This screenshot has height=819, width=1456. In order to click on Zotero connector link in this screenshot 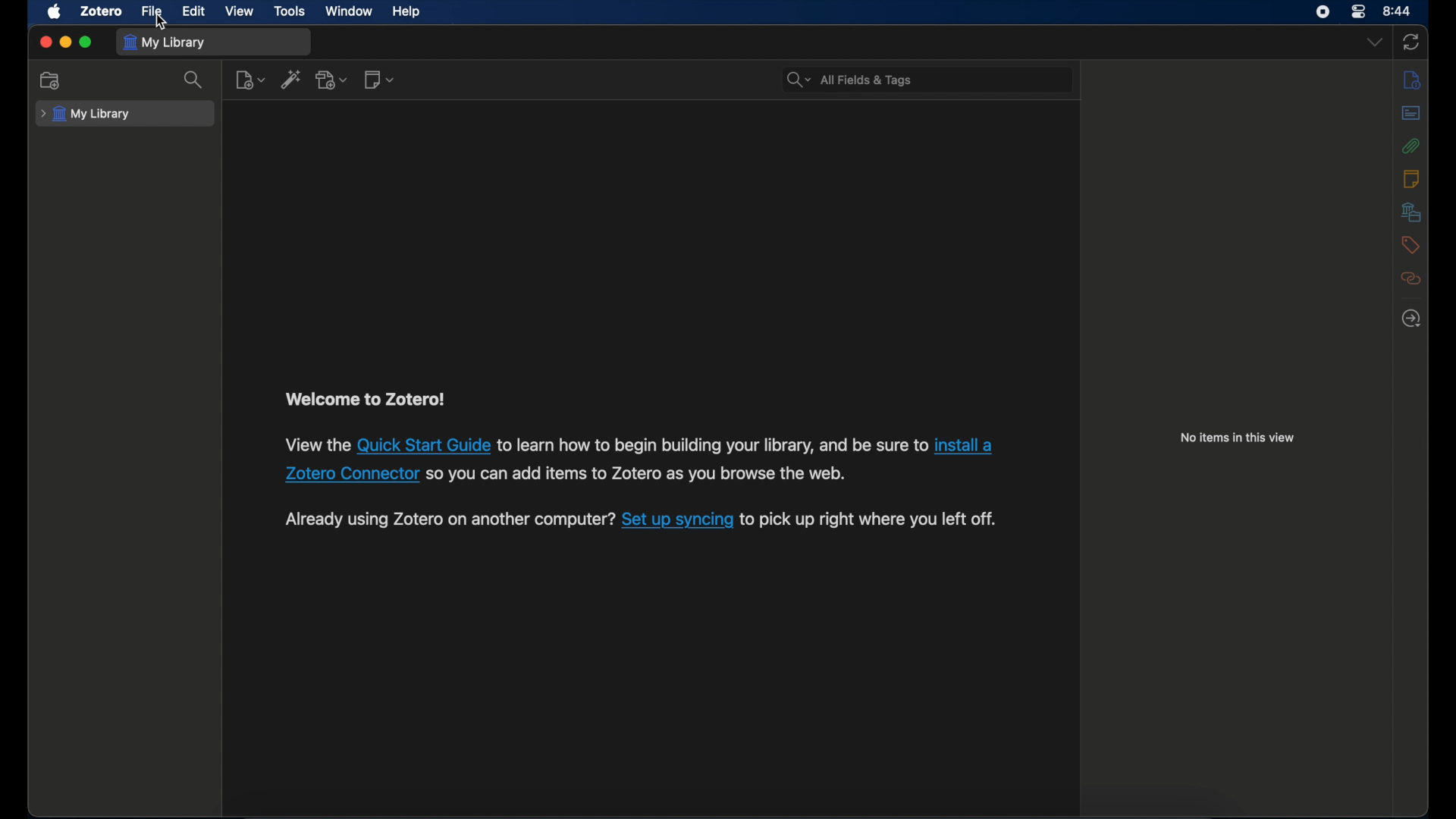, I will do `click(964, 446)`.